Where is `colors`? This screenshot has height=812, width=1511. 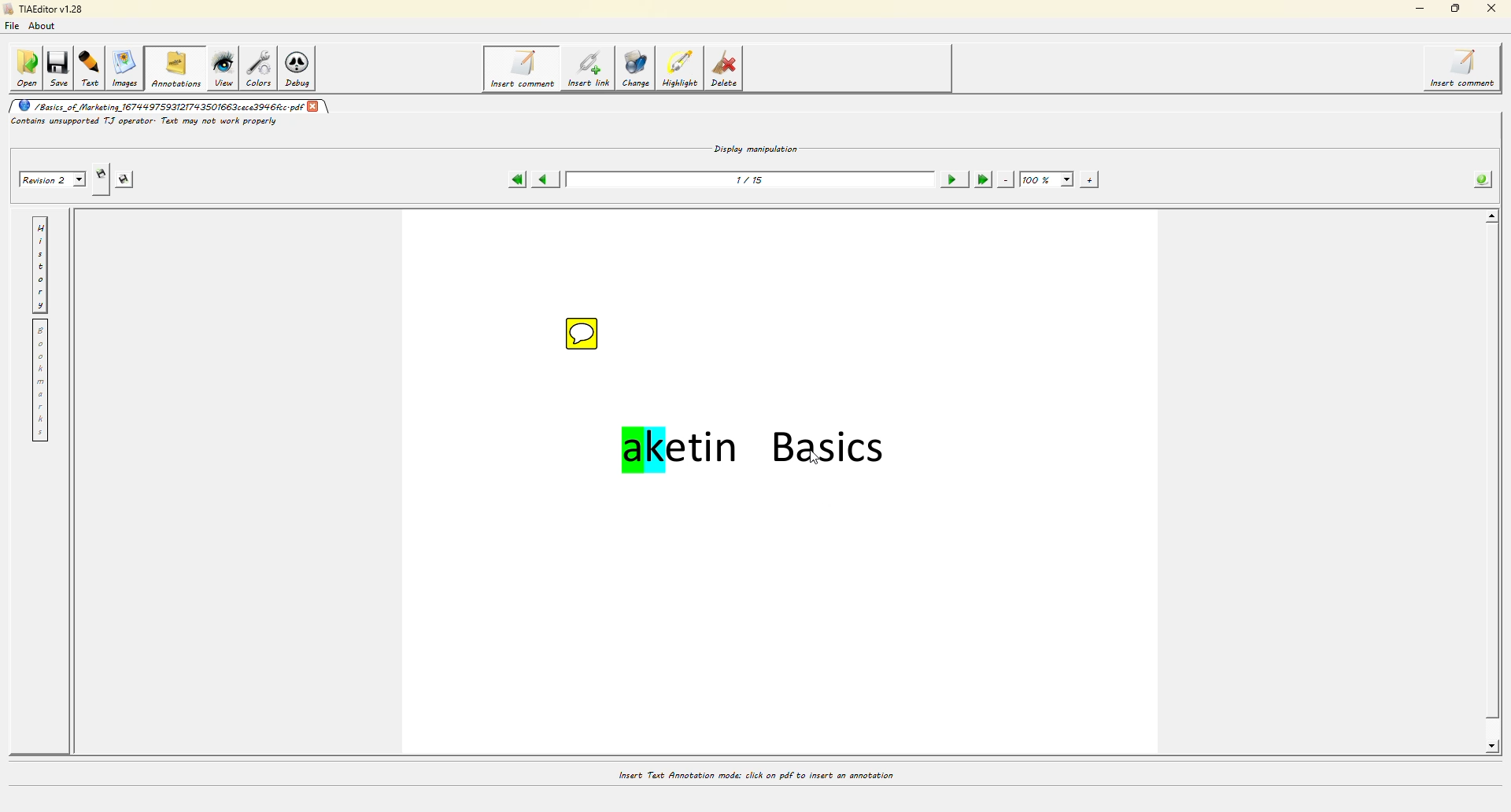 colors is located at coordinates (262, 68).